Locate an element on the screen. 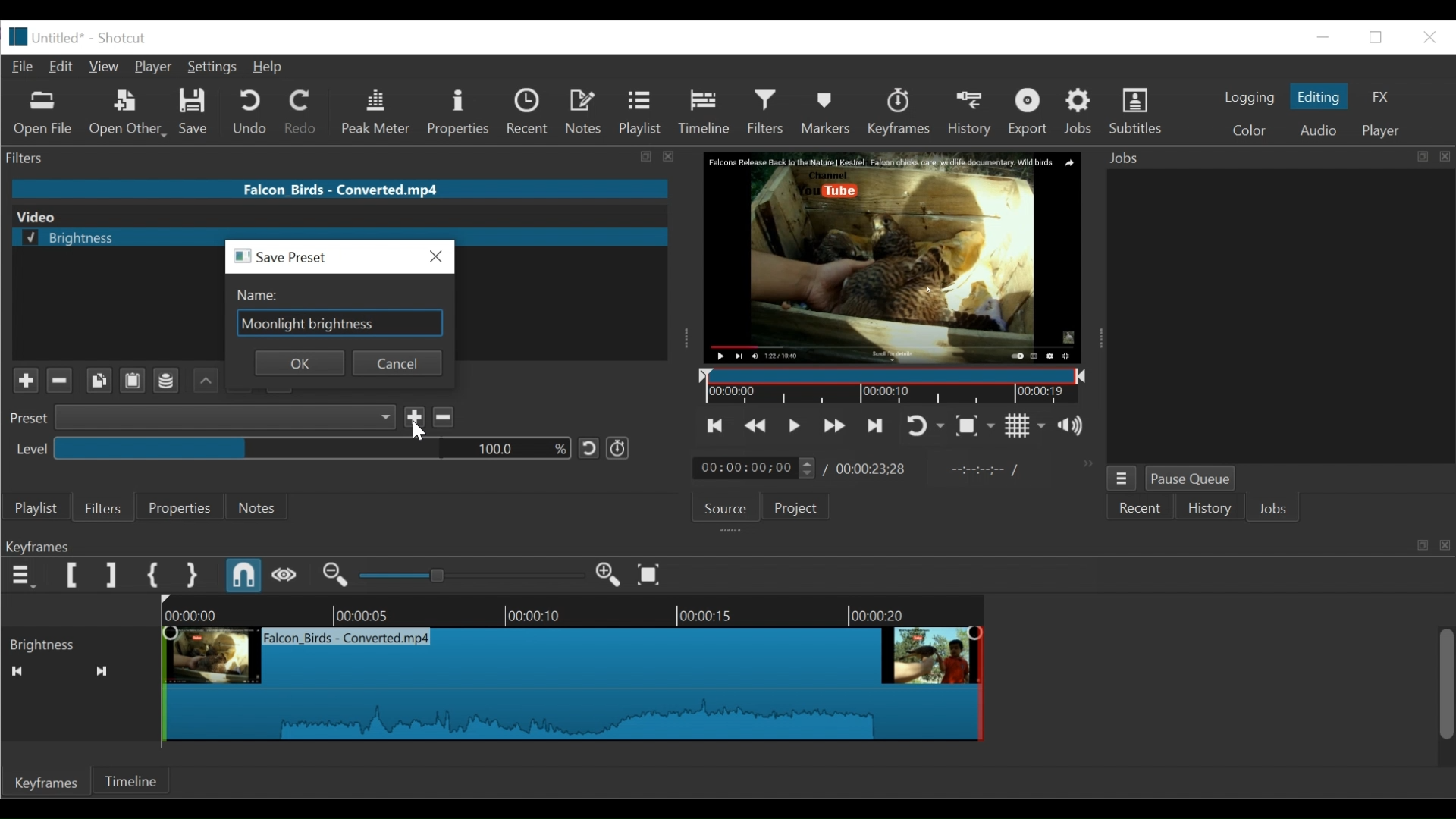 The width and height of the screenshot is (1456, 819). Shotcut is located at coordinates (124, 38).